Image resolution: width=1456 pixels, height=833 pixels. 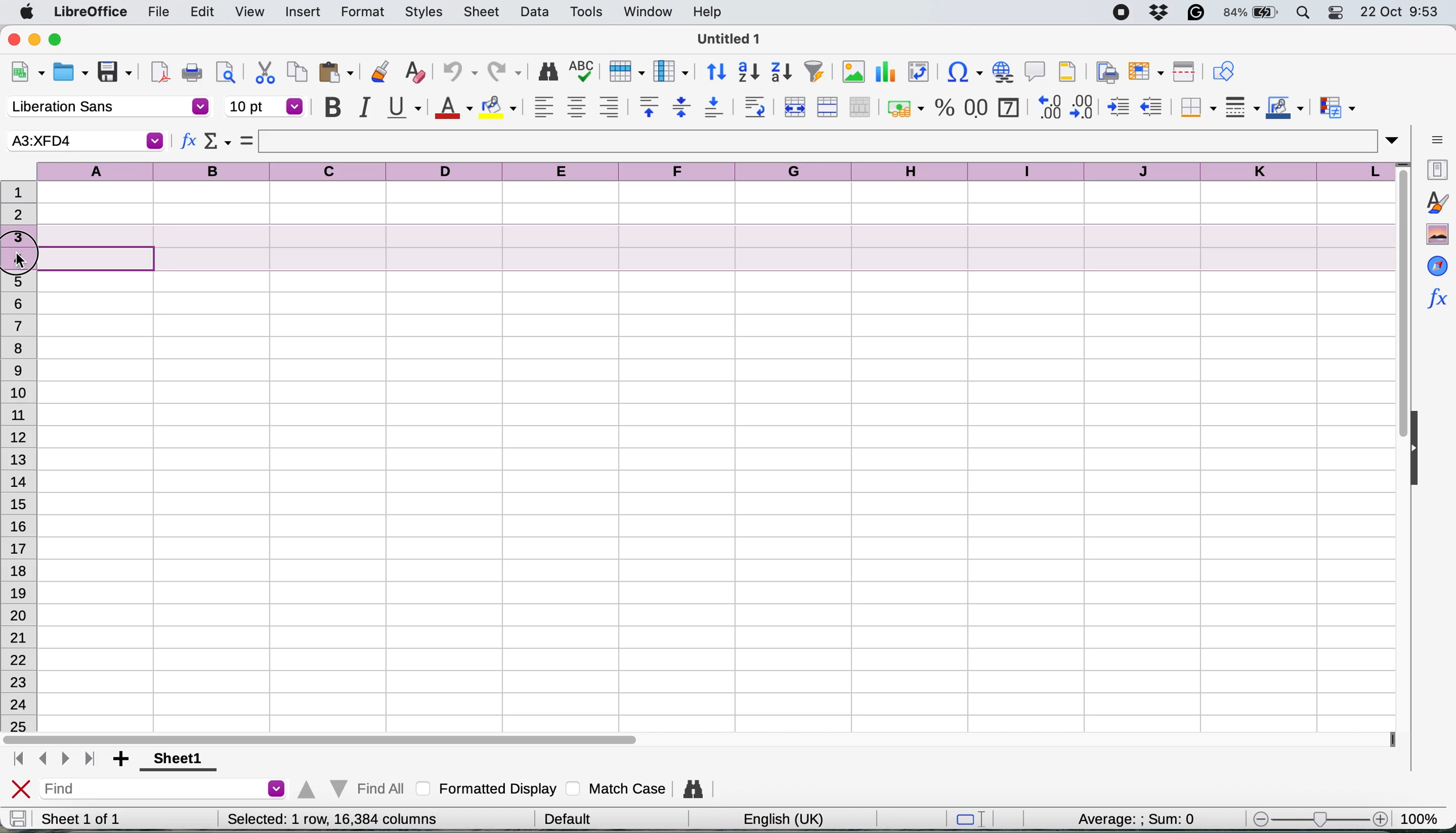 I want to click on define print area, so click(x=1104, y=71).